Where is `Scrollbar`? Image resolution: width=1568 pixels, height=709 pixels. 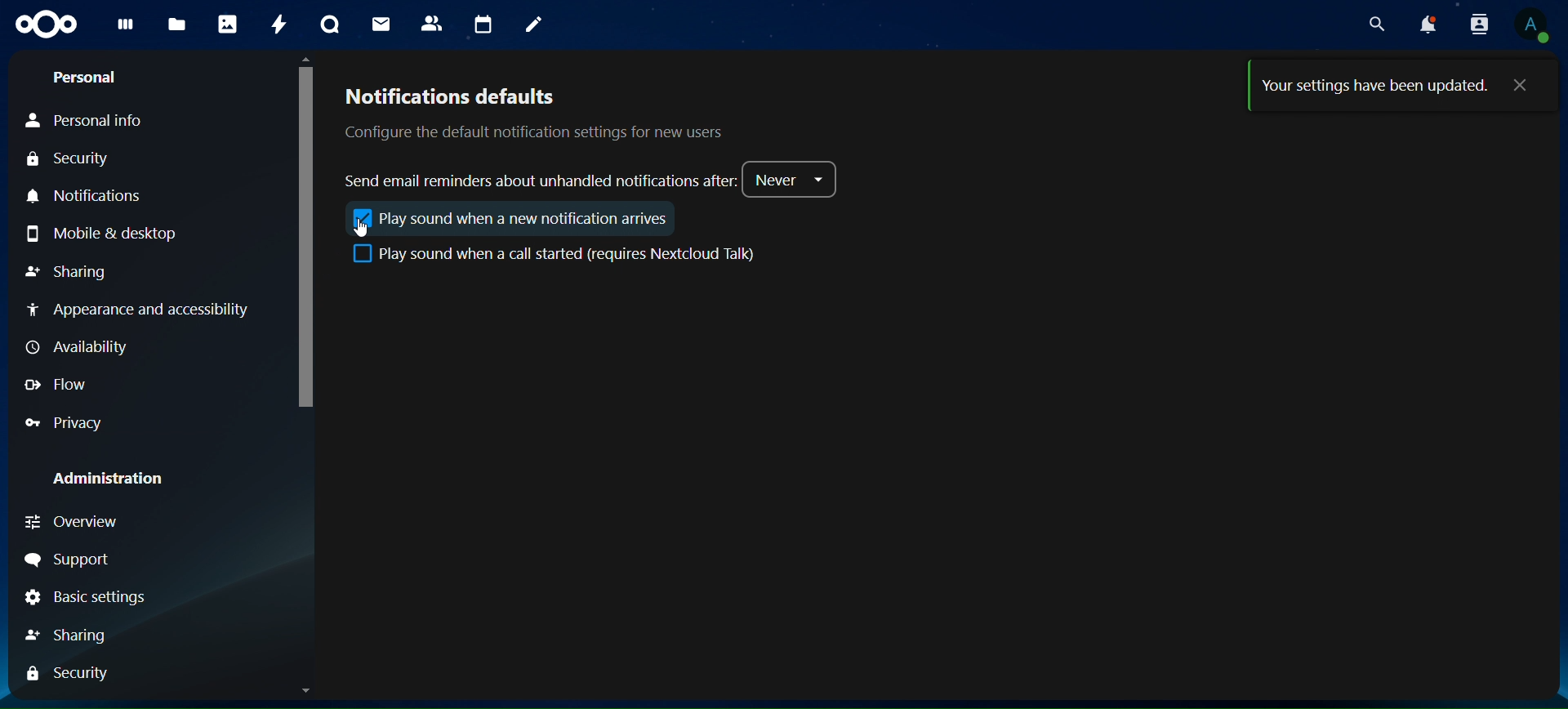 Scrollbar is located at coordinates (306, 375).